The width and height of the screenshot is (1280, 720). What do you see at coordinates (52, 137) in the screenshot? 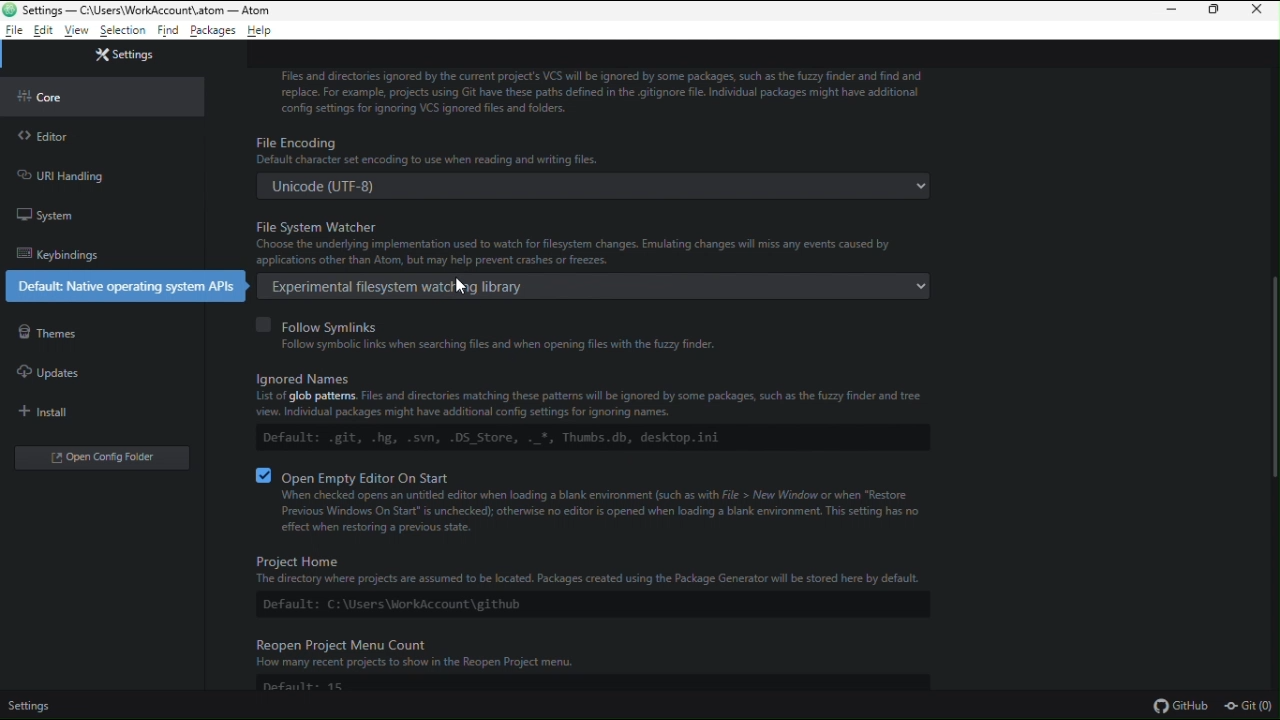
I see `editor` at bounding box center [52, 137].